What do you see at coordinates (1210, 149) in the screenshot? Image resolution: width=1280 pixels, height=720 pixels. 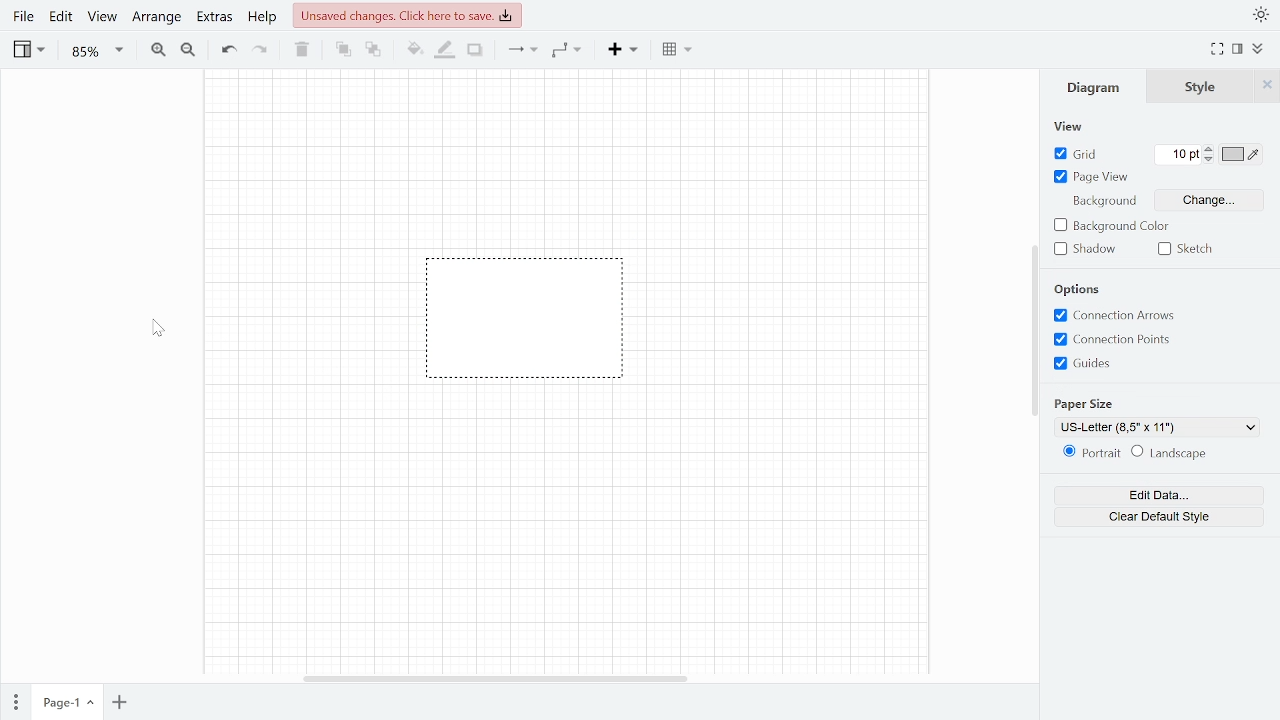 I see `Increase grid count` at bounding box center [1210, 149].